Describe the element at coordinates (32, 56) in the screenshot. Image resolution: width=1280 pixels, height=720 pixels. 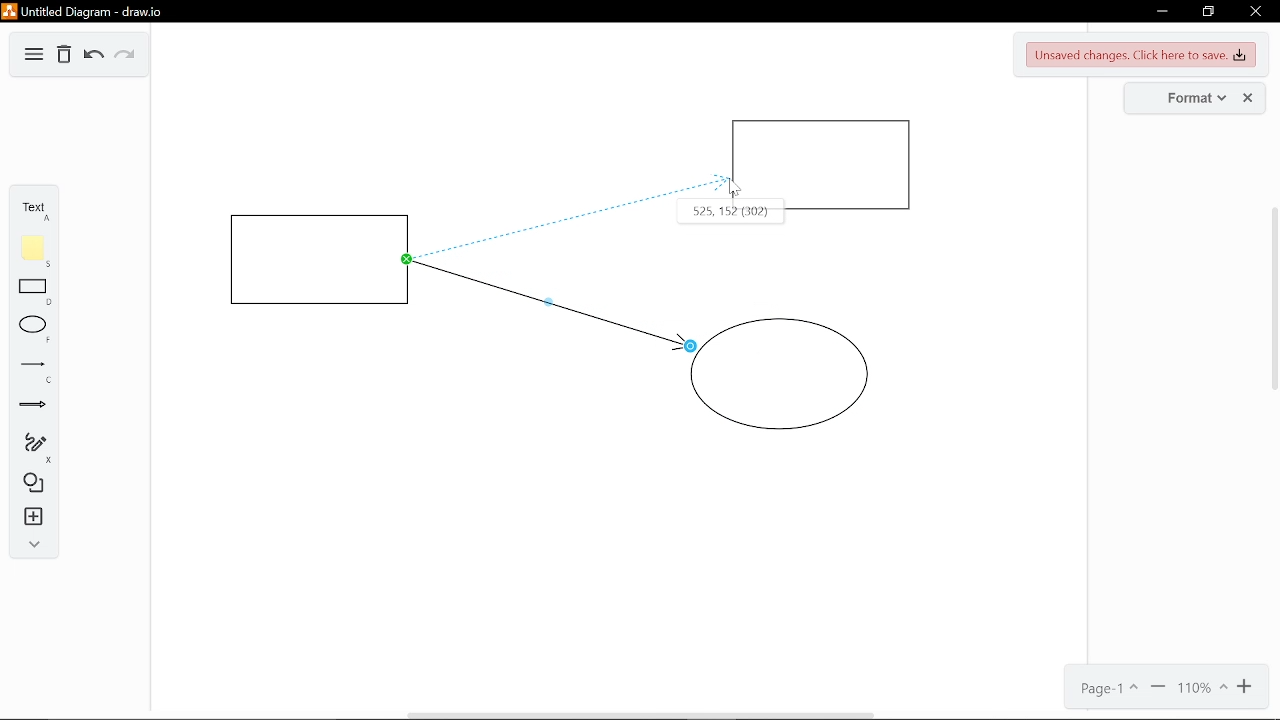
I see `Diagram` at that location.